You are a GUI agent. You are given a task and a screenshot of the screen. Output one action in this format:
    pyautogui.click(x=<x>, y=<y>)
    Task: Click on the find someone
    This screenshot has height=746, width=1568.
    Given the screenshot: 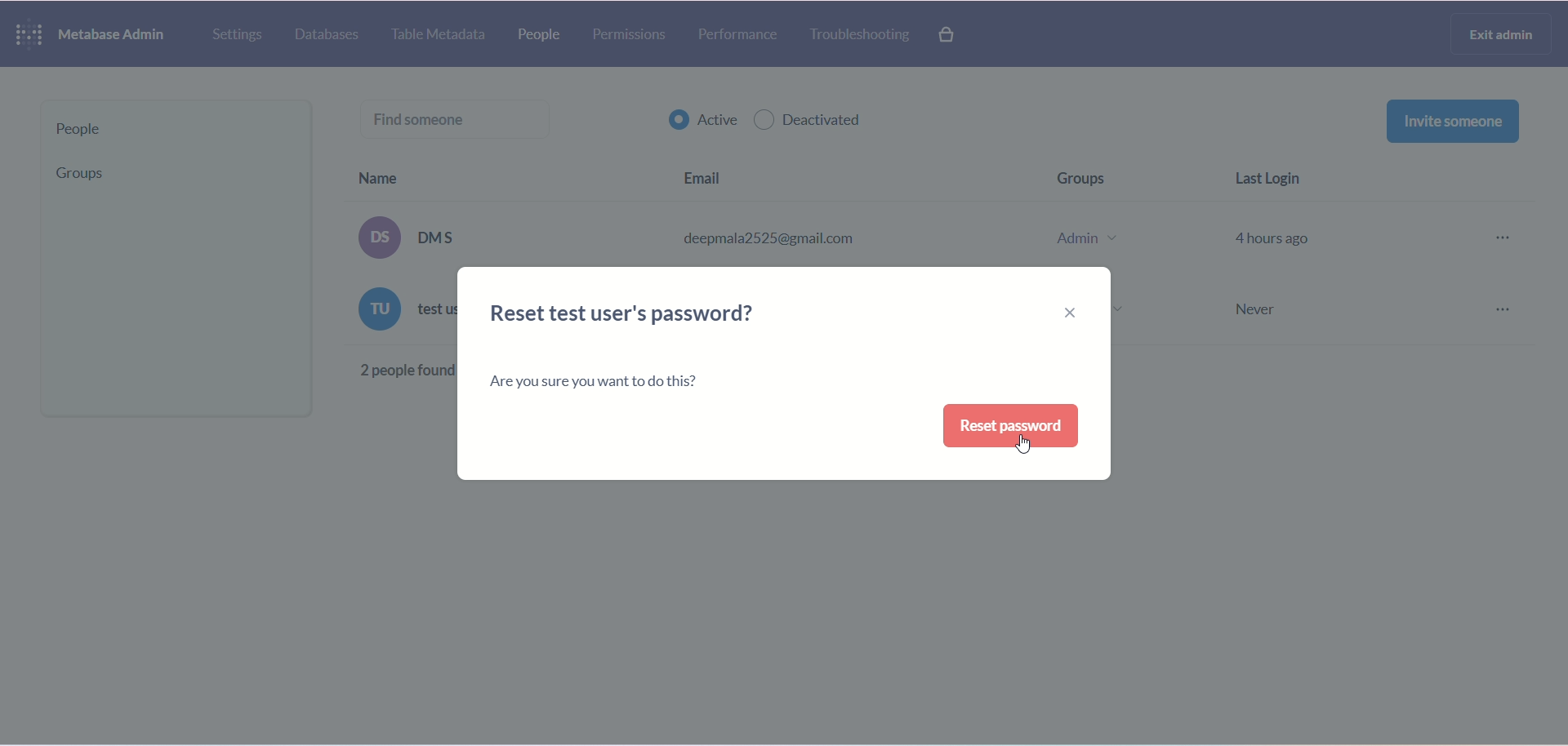 What is the action you would take?
    pyautogui.click(x=462, y=117)
    